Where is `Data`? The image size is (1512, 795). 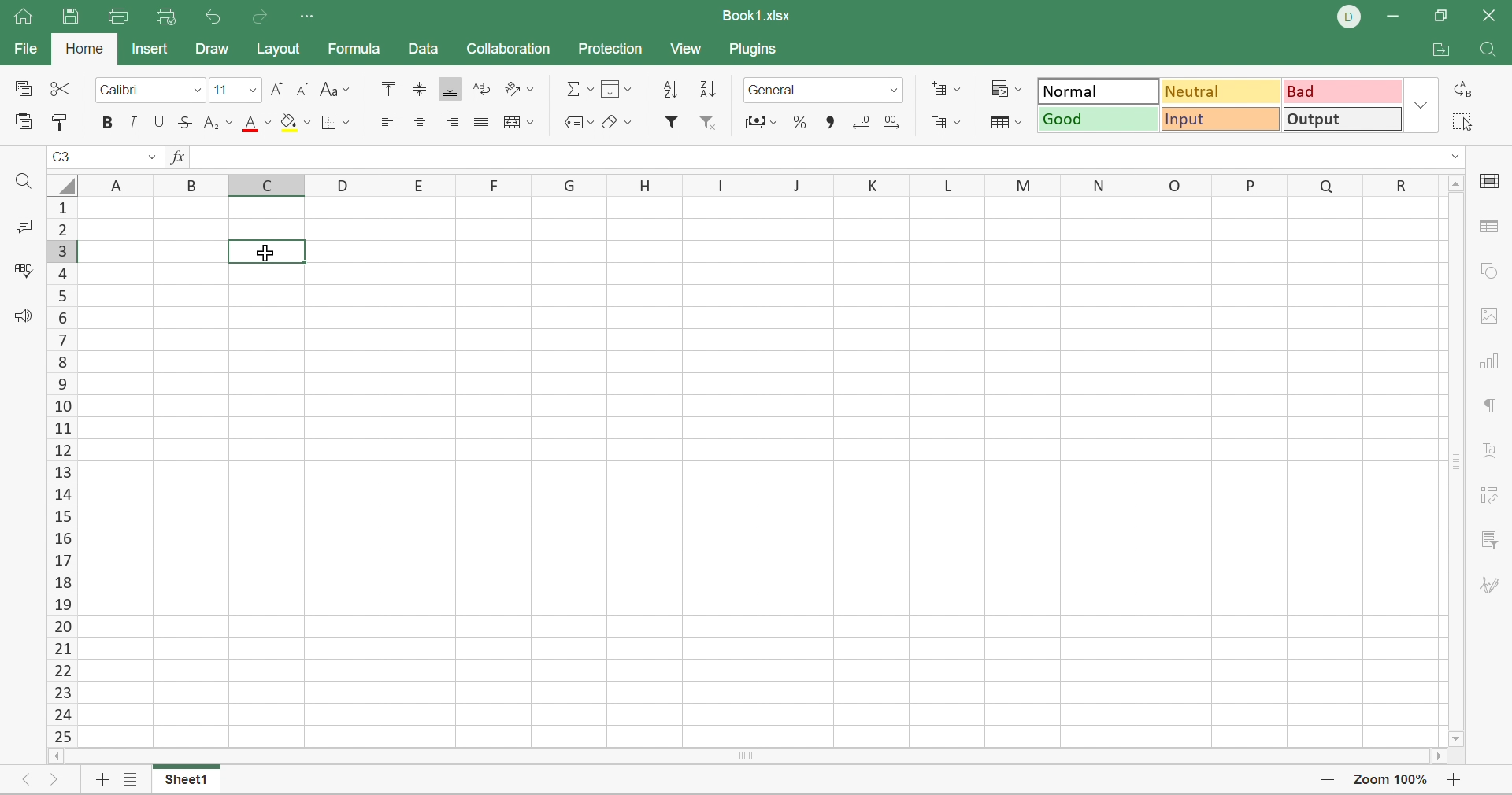 Data is located at coordinates (426, 51).